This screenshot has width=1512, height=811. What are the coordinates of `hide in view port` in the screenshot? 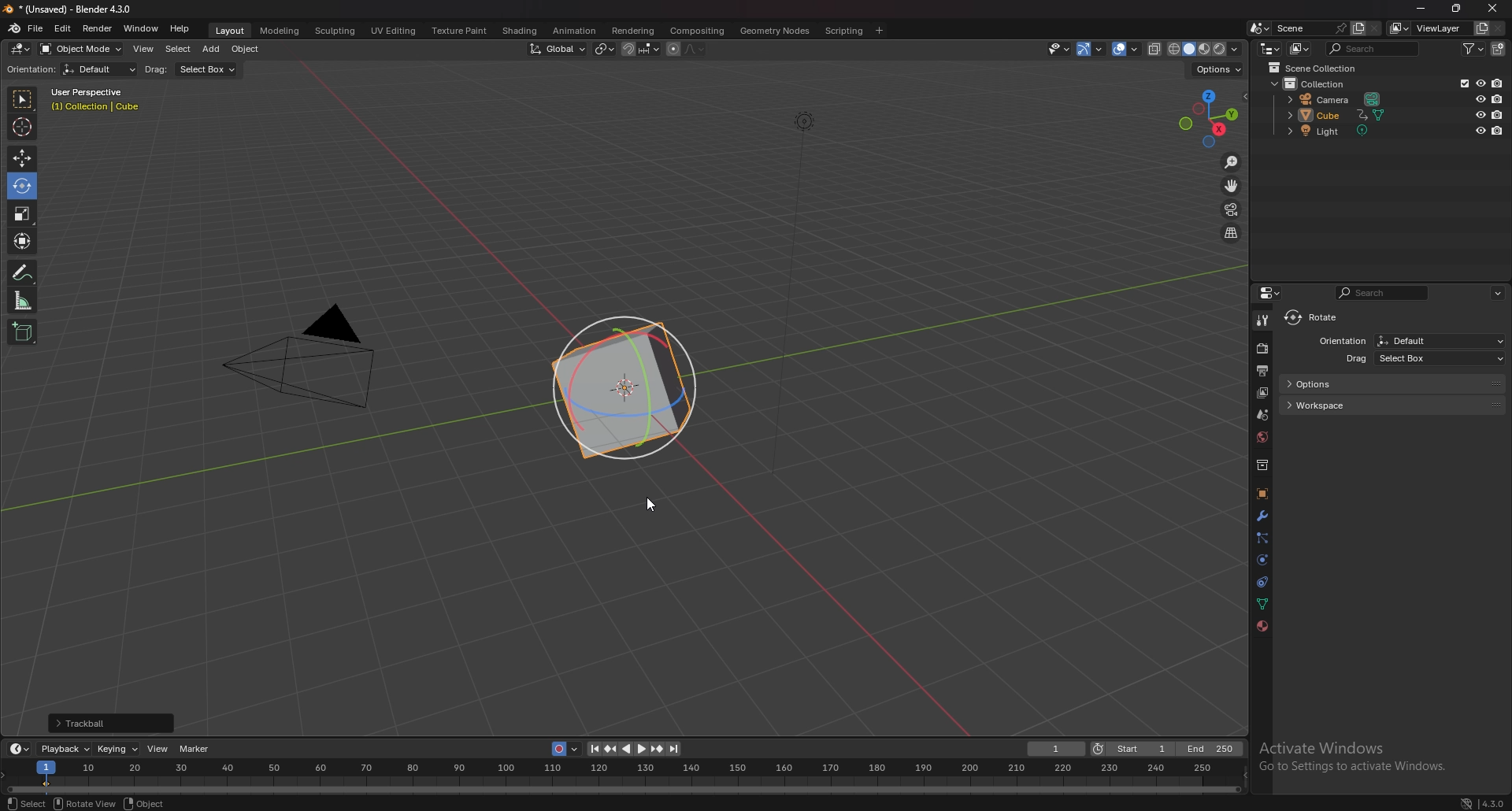 It's located at (1482, 114).